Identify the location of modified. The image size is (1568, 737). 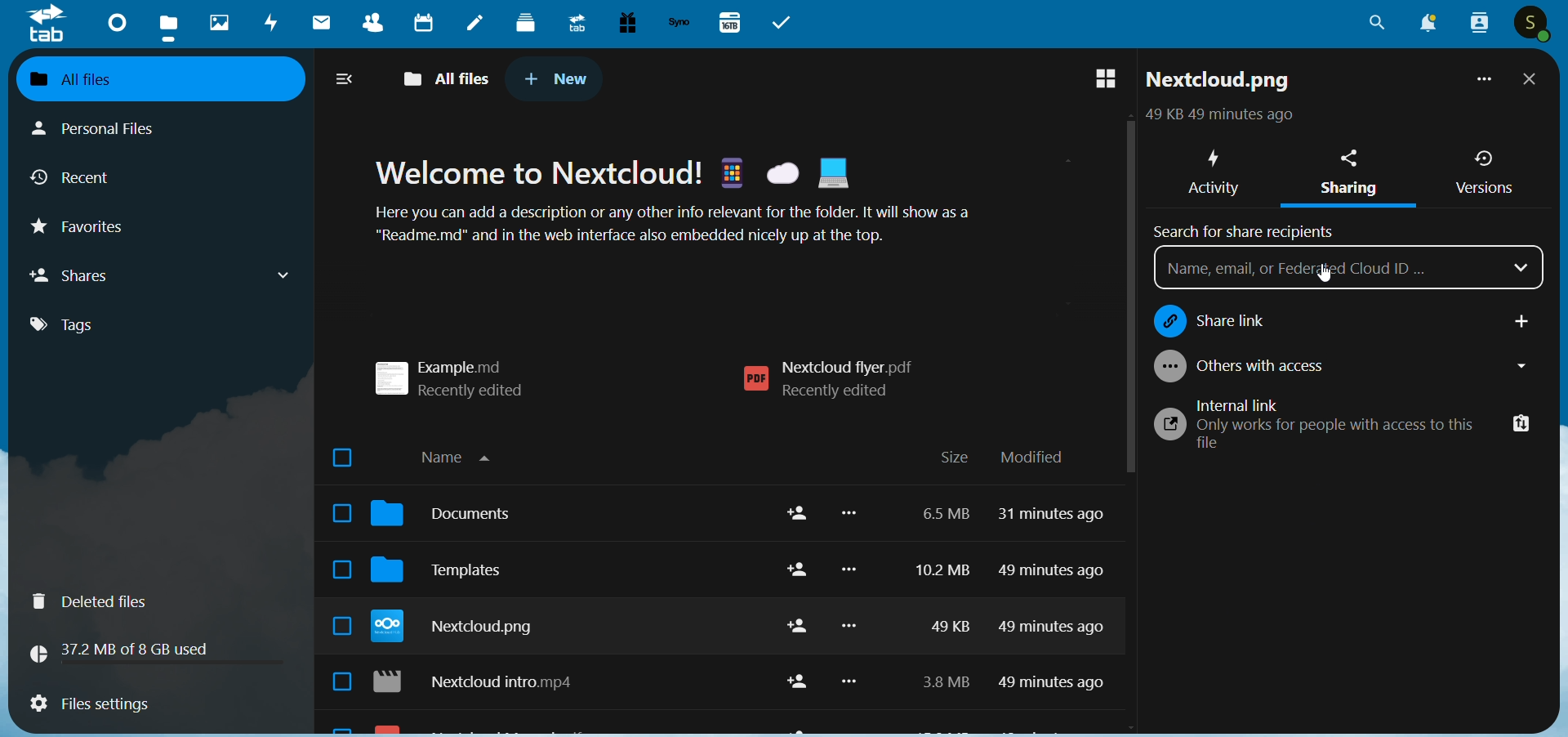
(1032, 458).